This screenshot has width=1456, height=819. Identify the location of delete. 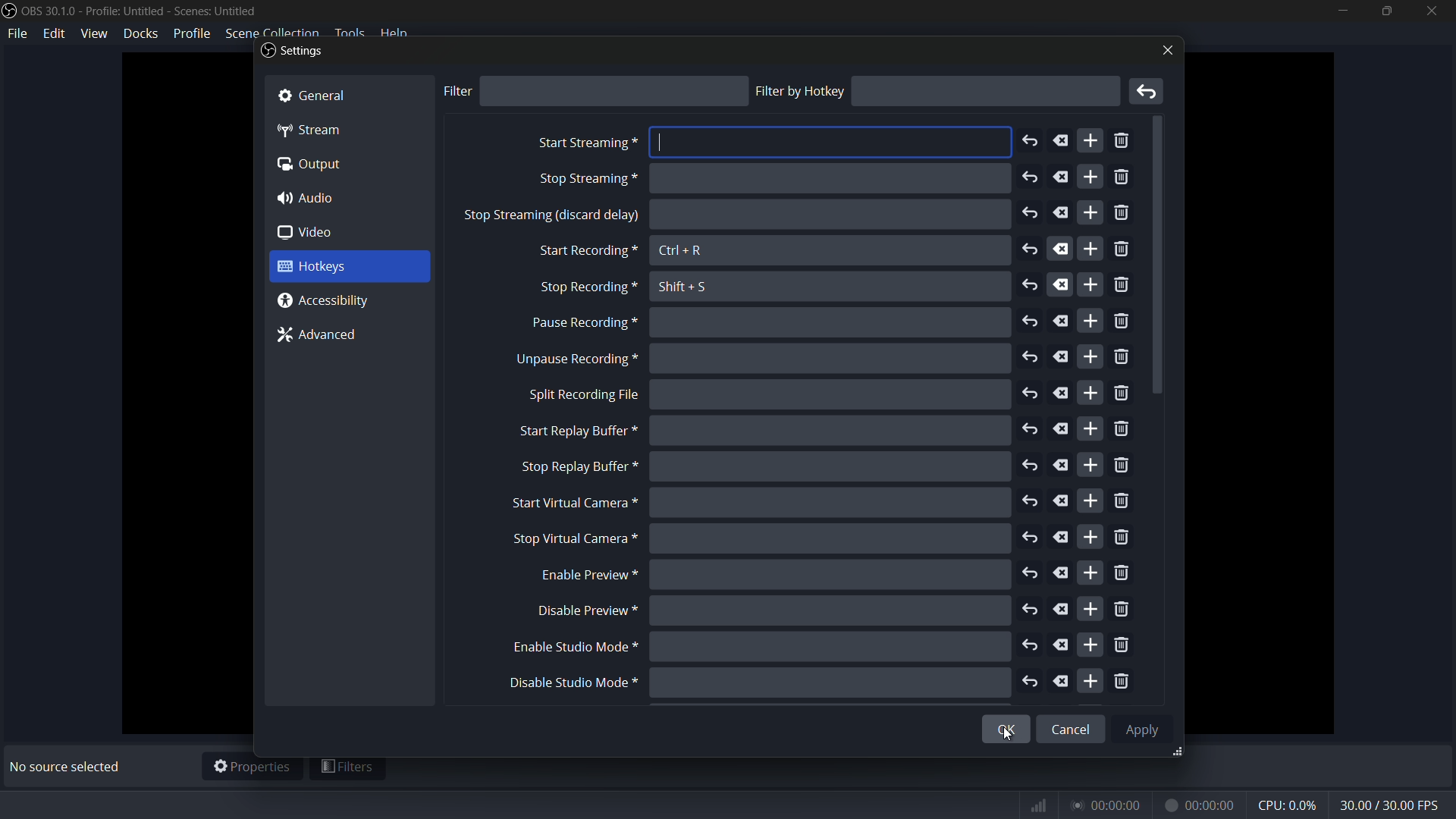
(1063, 682).